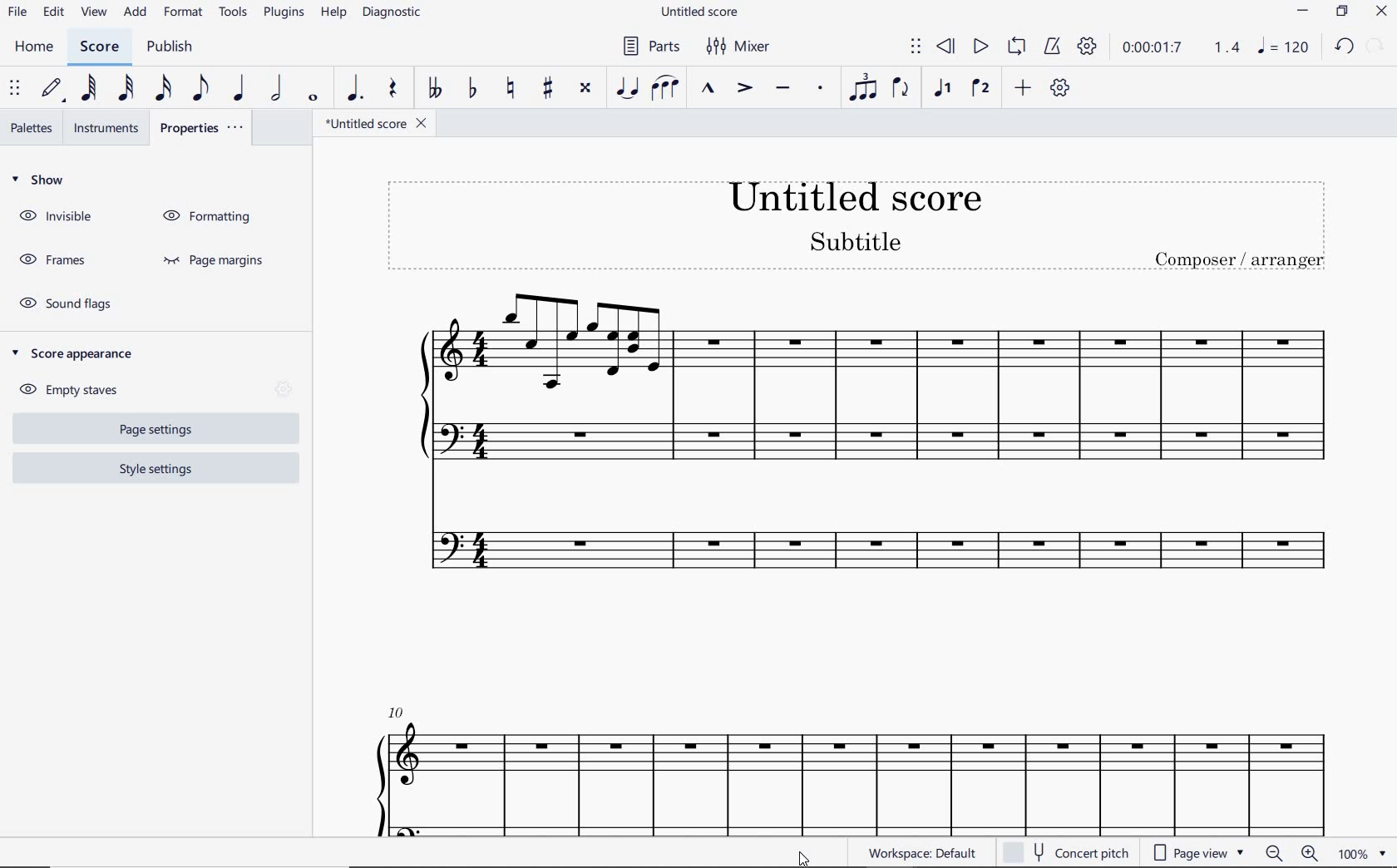  I want to click on EIGHTH NOTE, so click(202, 89).